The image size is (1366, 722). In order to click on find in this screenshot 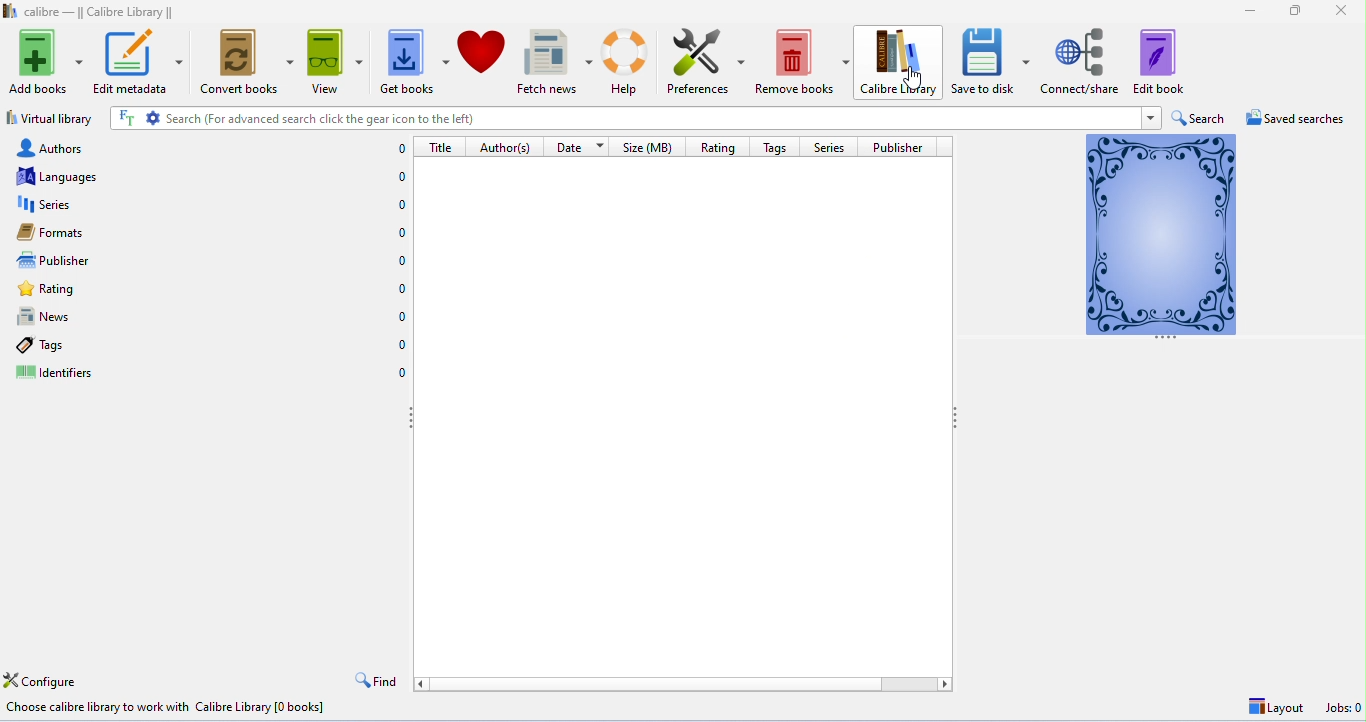, I will do `click(377, 681)`.